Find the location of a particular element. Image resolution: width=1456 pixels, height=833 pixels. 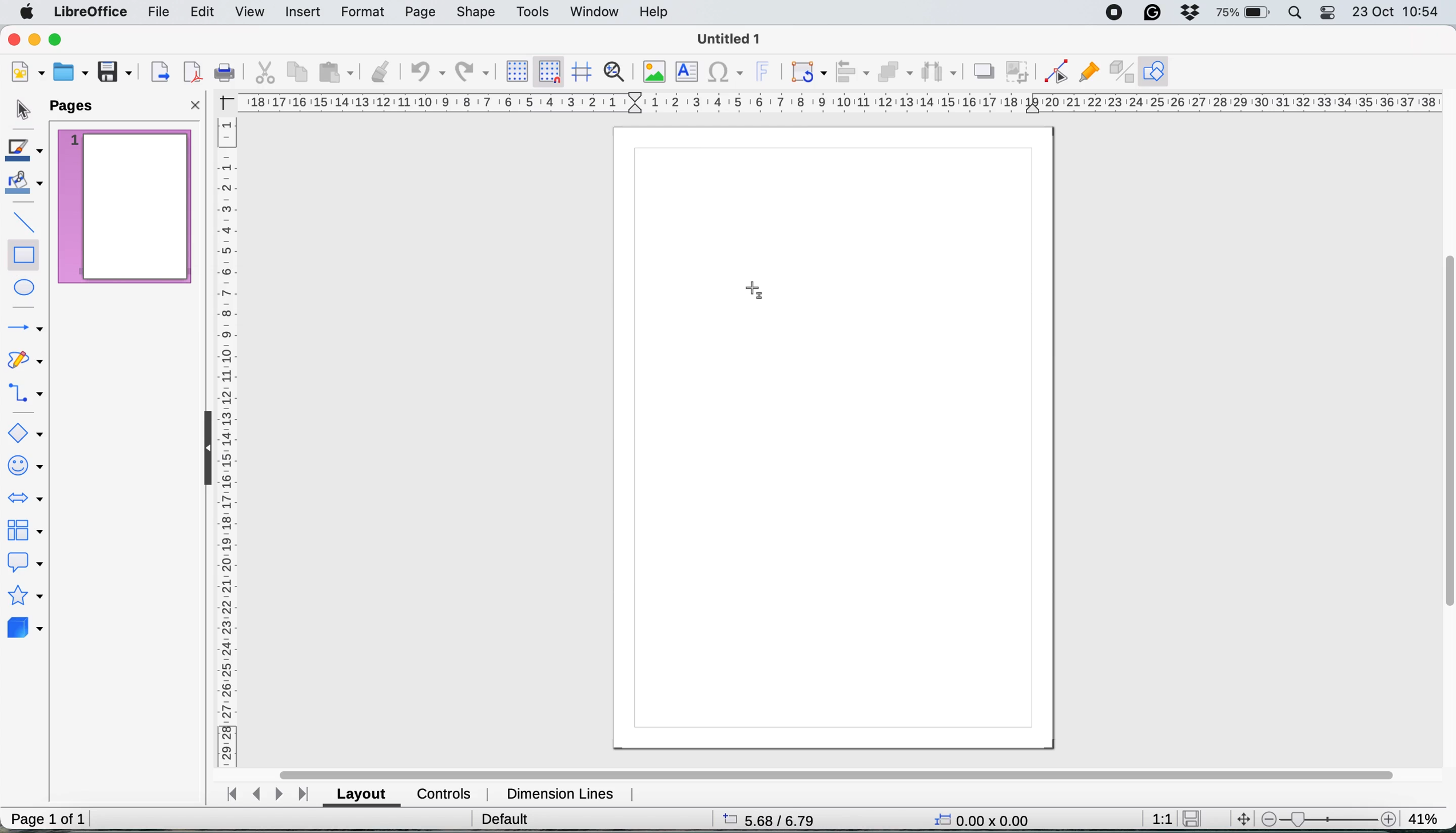

arrange is located at coordinates (898, 73).